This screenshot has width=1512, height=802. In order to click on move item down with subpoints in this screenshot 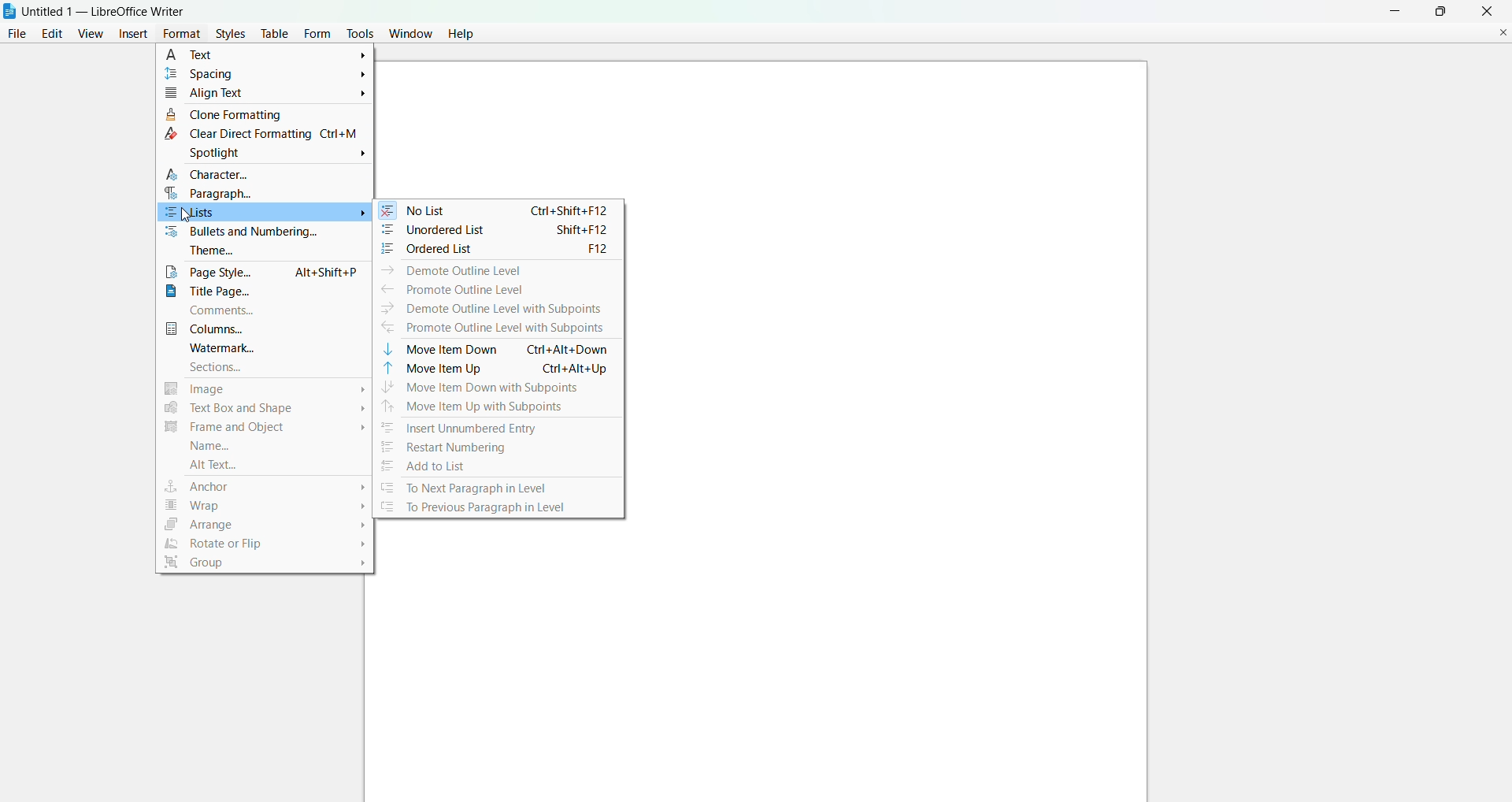, I will do `click(483, 388)`.